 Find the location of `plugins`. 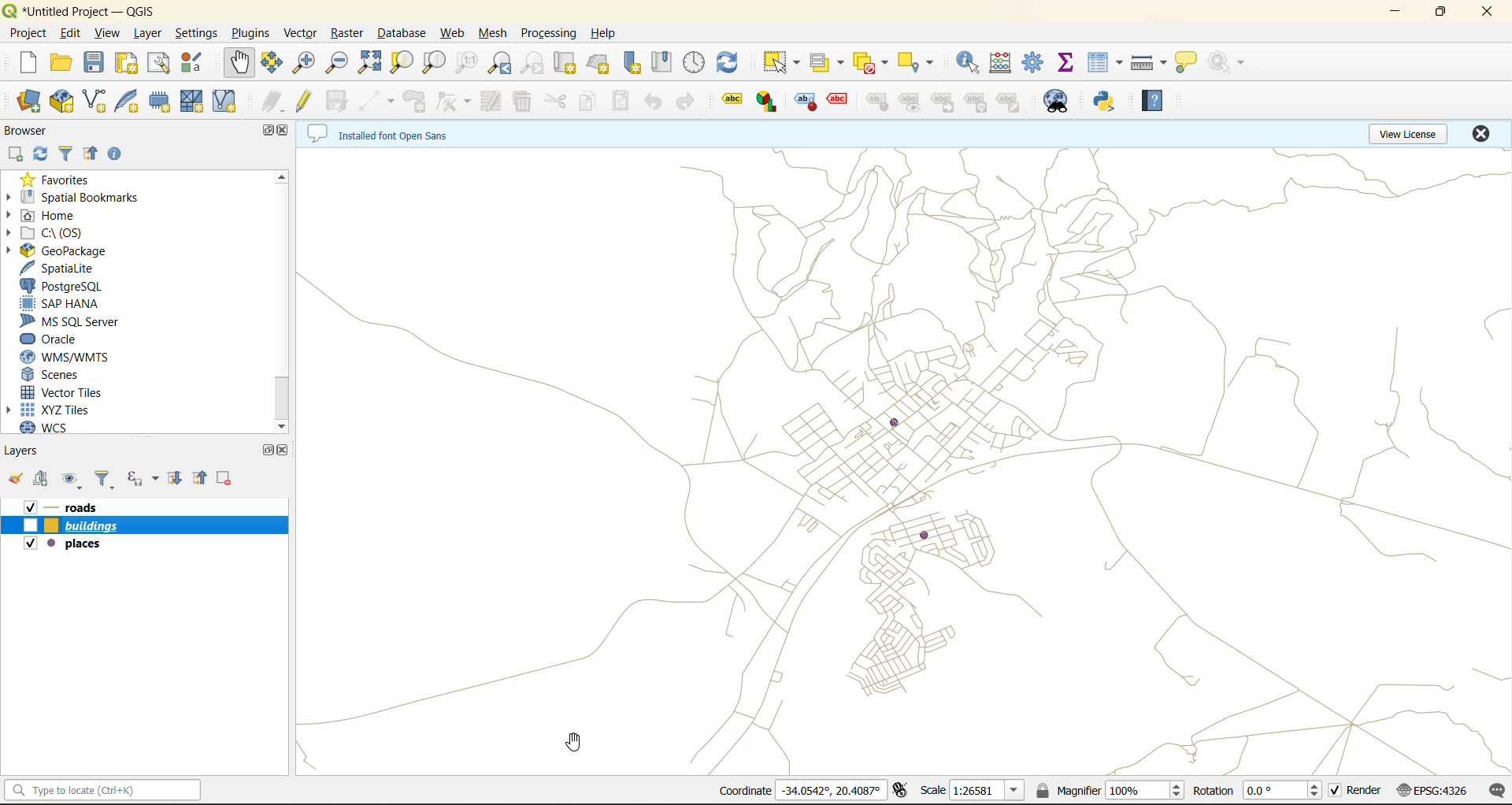

plugins is located at coordinates (250, 33).